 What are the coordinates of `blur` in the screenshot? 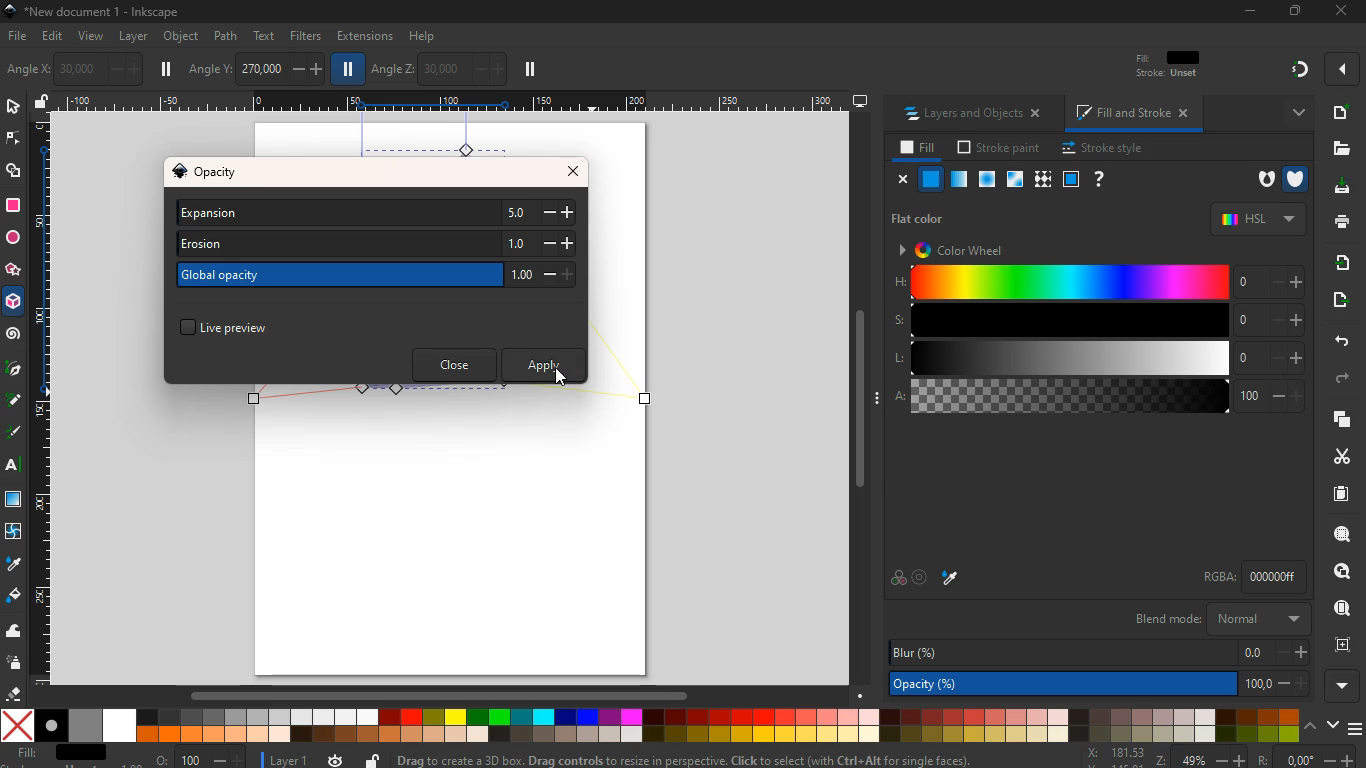 It's located at (1096, 650).